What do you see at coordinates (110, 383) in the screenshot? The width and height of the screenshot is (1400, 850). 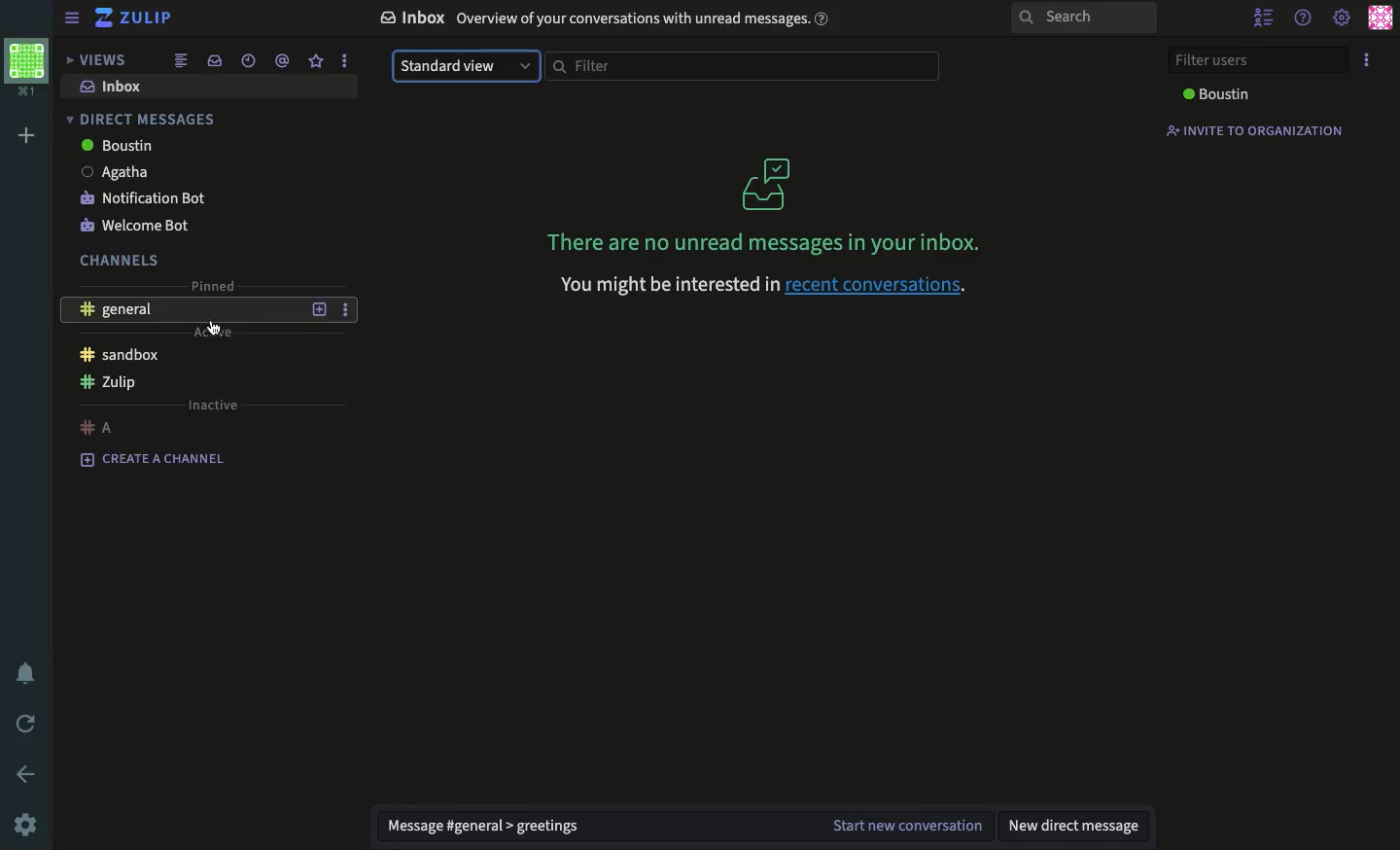 I see `Zulip` at bounding box center [110, 383].